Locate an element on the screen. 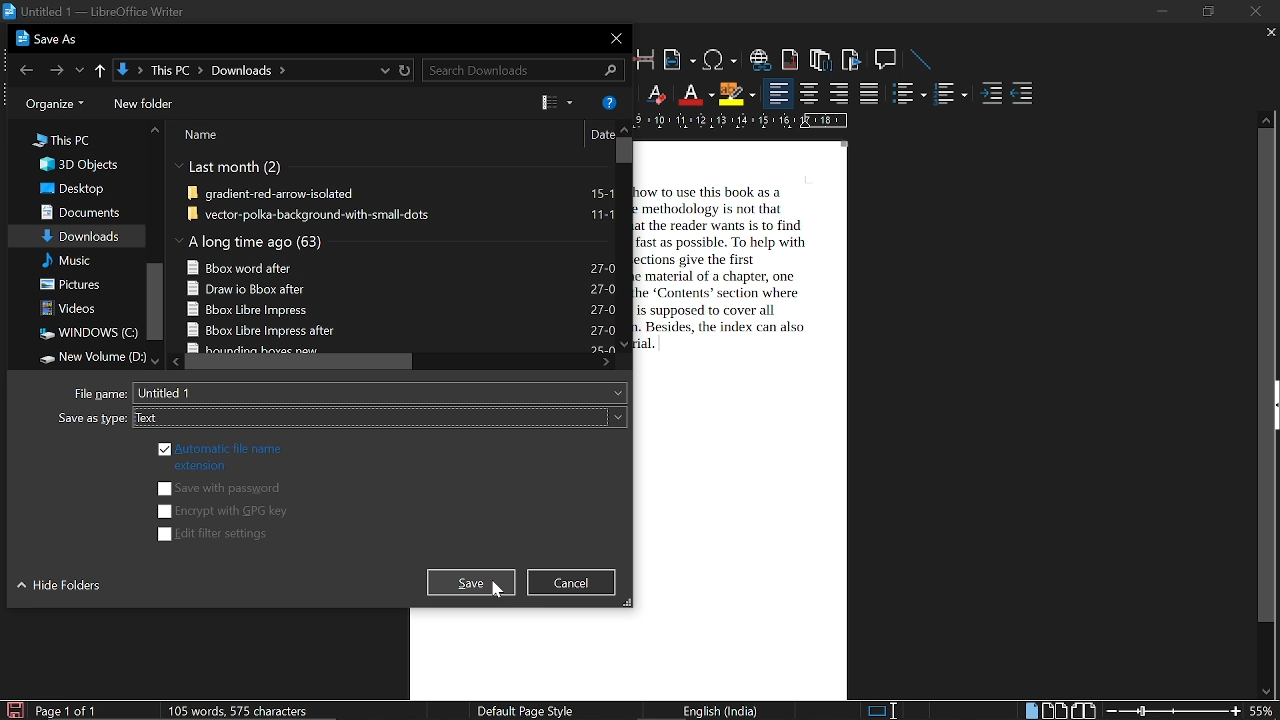  align right is located at coordinates (838, 94).